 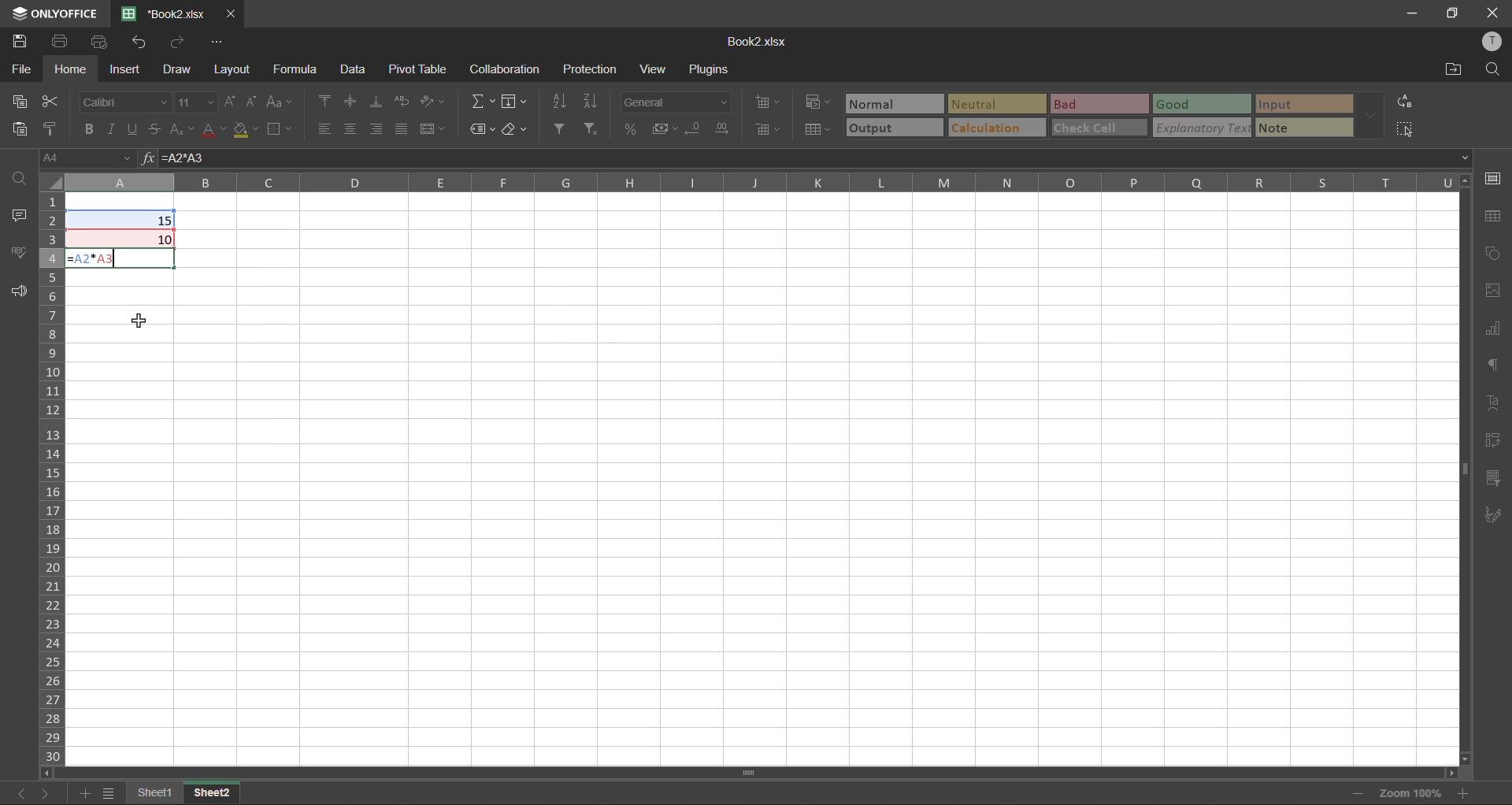 I want to click on align left, so click(x=328, y=129).